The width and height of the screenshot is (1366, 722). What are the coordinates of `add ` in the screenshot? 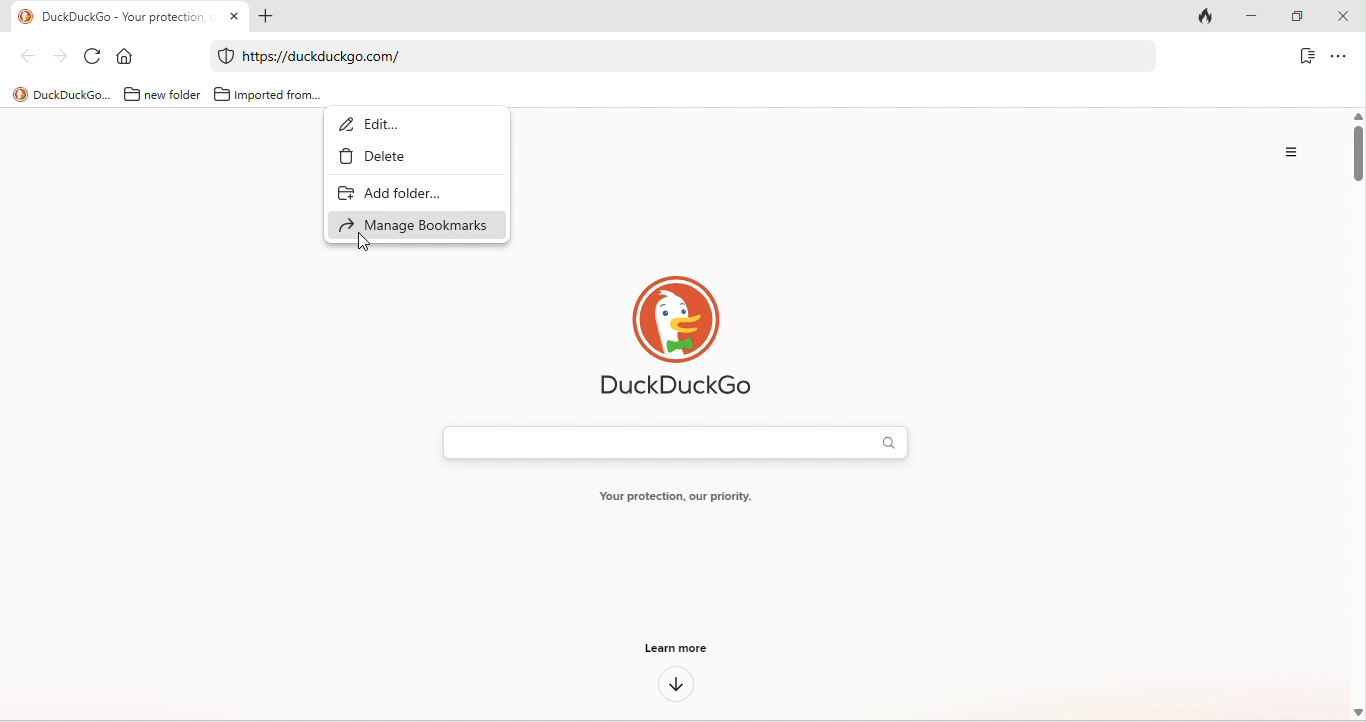 It's located at (271, 17).